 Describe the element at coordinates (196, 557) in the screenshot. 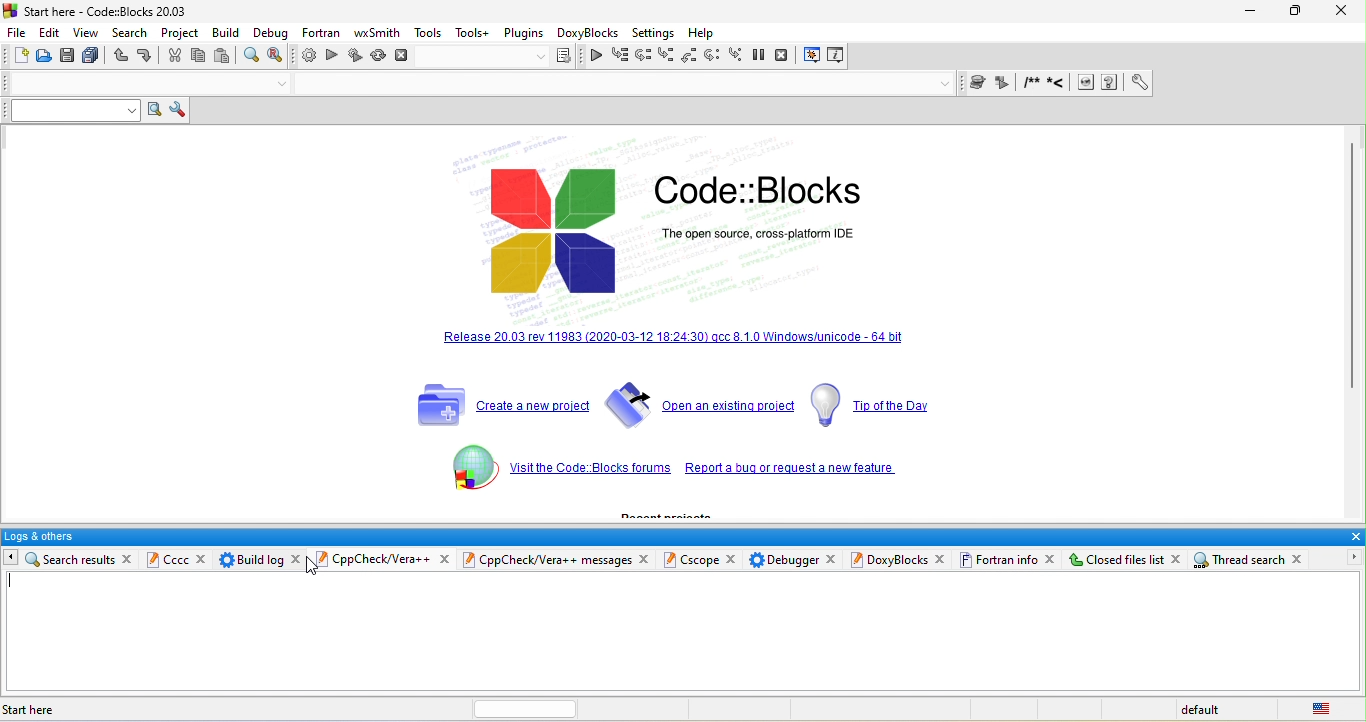

I see `close` at that location.